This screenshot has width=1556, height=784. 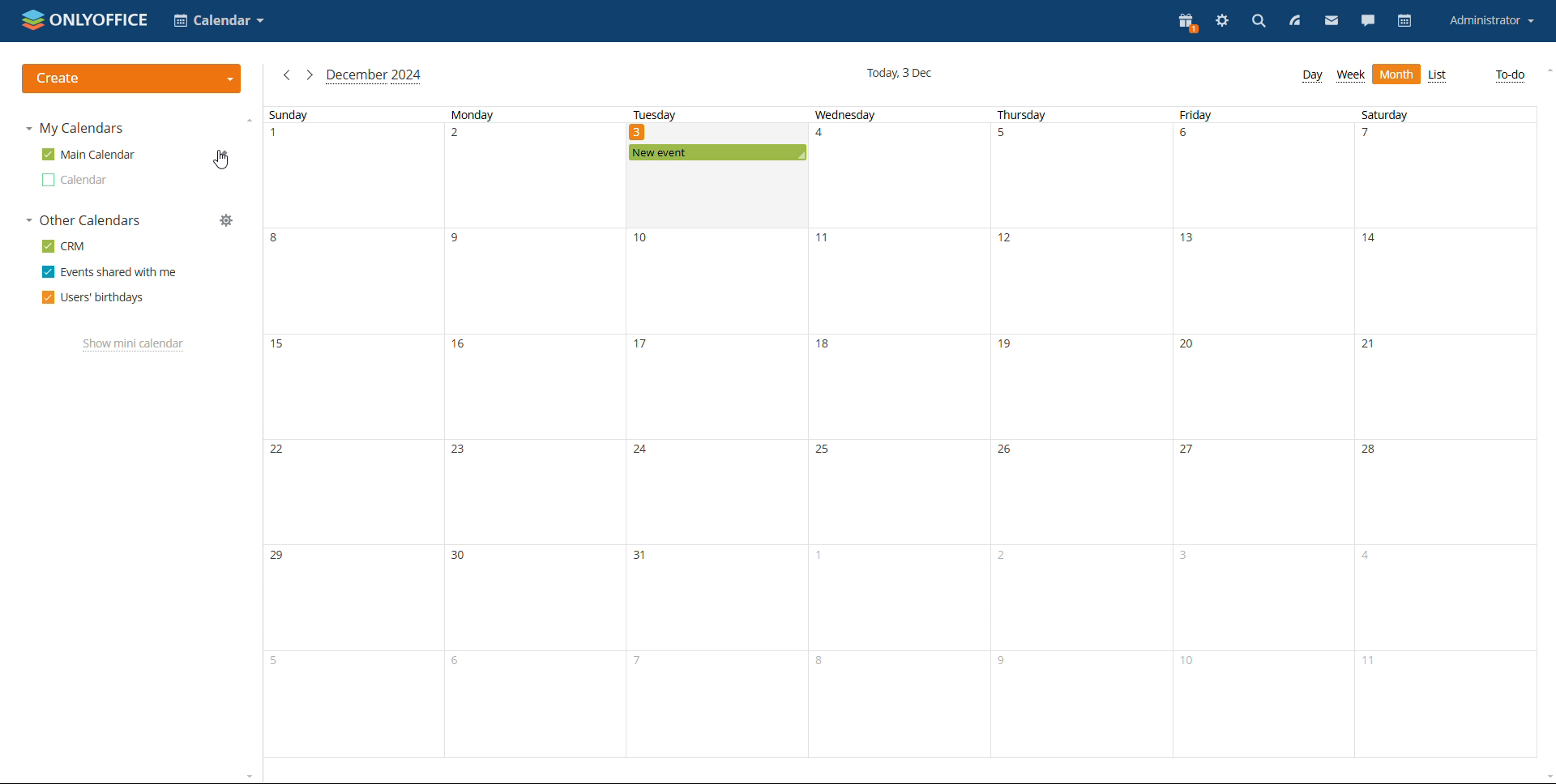 I want to click on date, so click(x=894, y=174).